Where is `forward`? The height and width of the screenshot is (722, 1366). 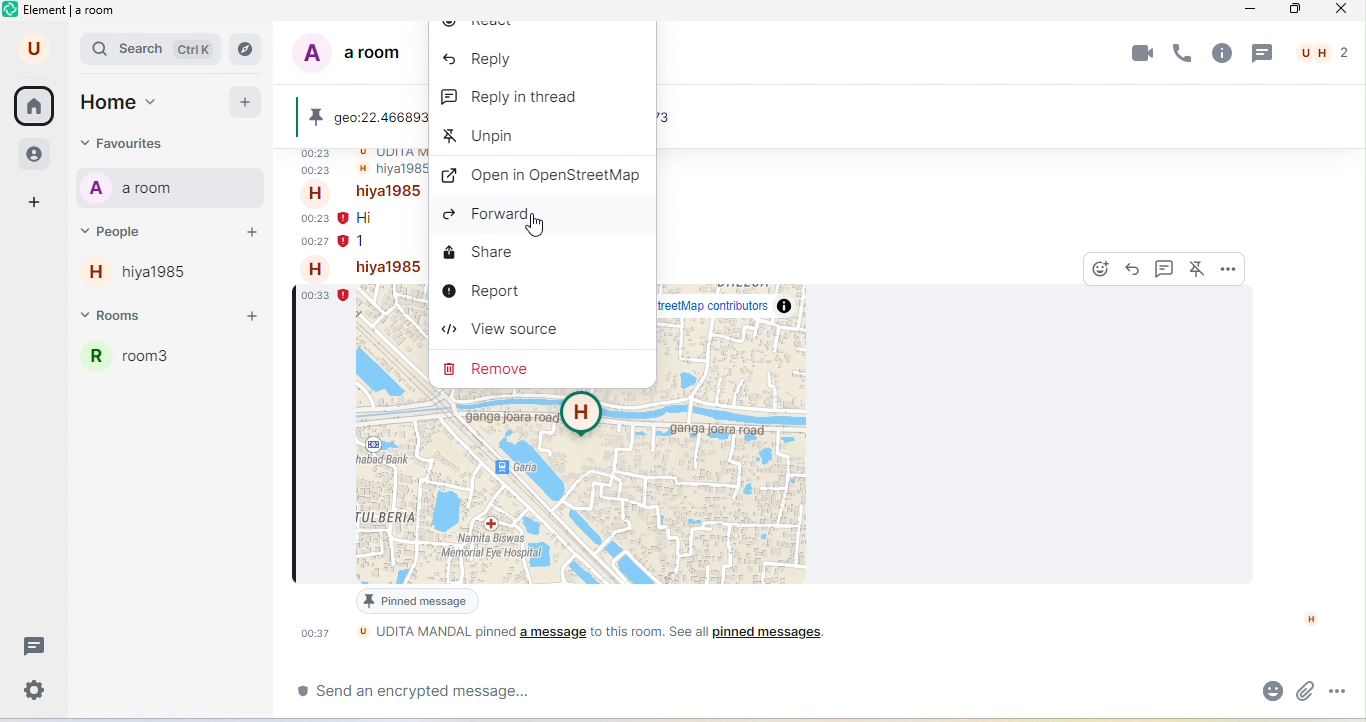
forward is located at coordinates (501, 216).